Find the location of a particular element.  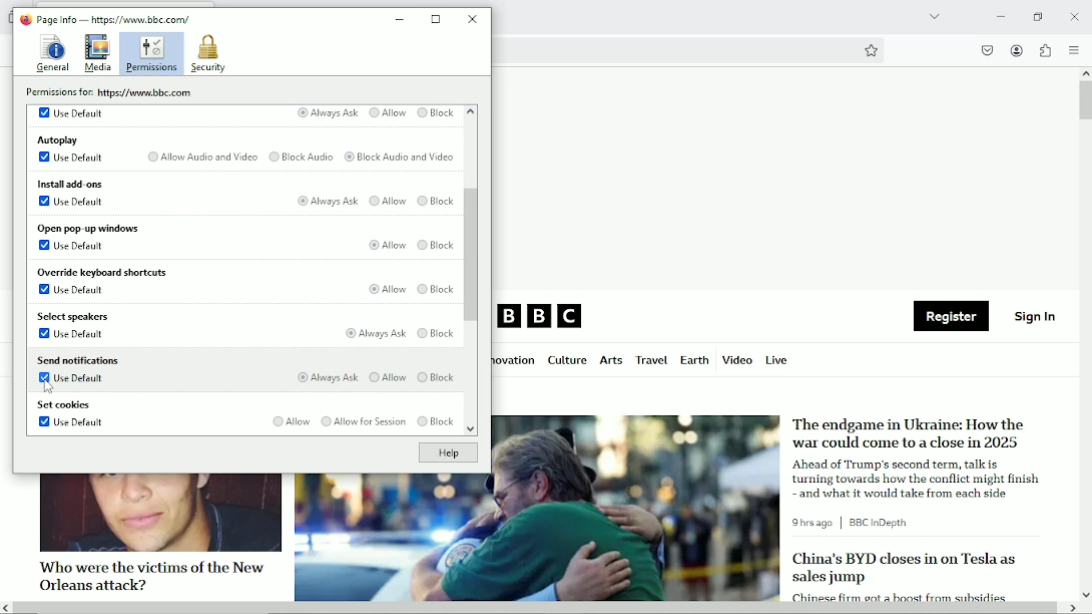

image is located at coordinates (537, 538).